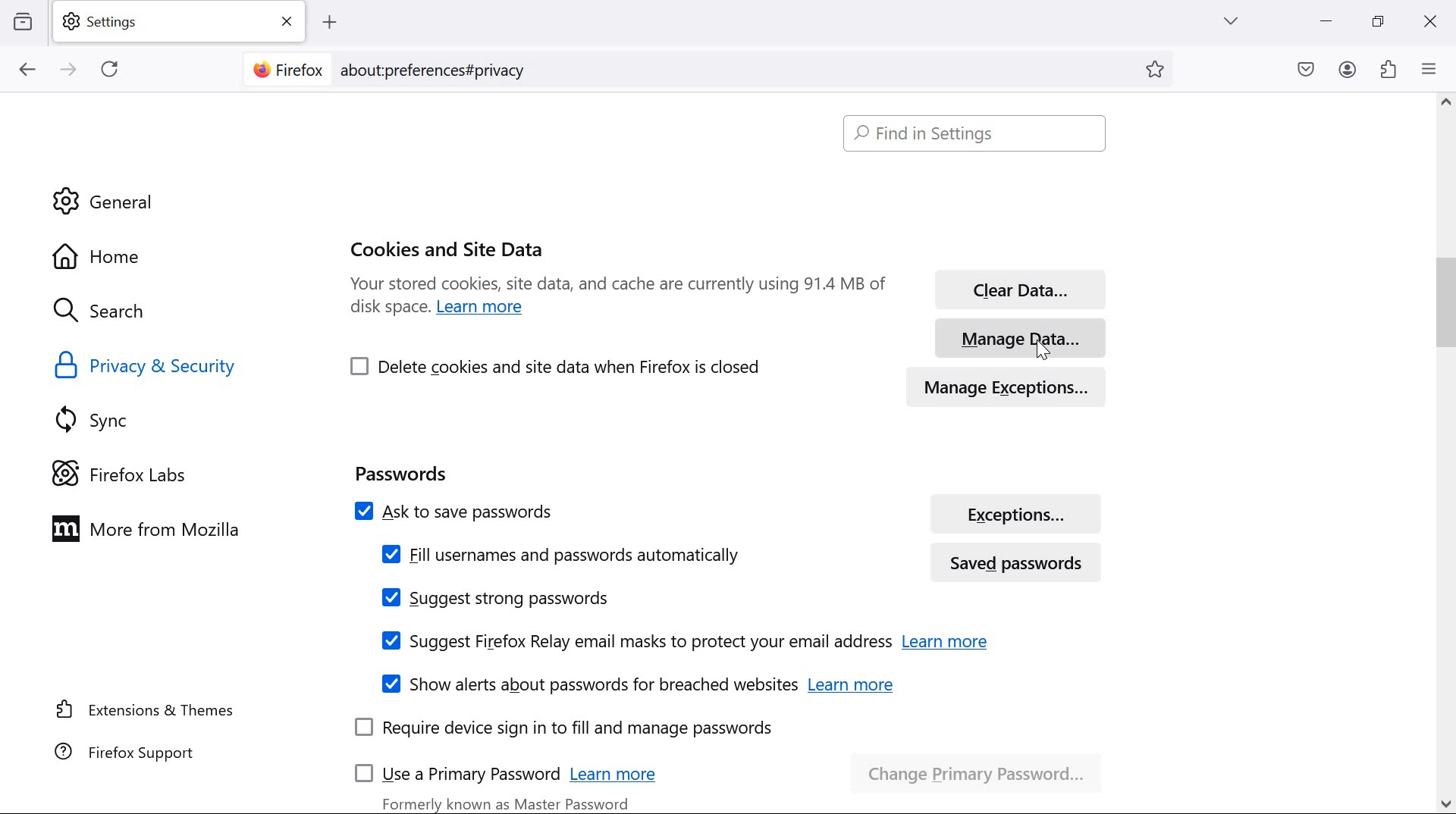 This screenshot has height=814, width=1456. Describe the element at coordinates (115, 312) in the screenshot. I see `search` at that location.